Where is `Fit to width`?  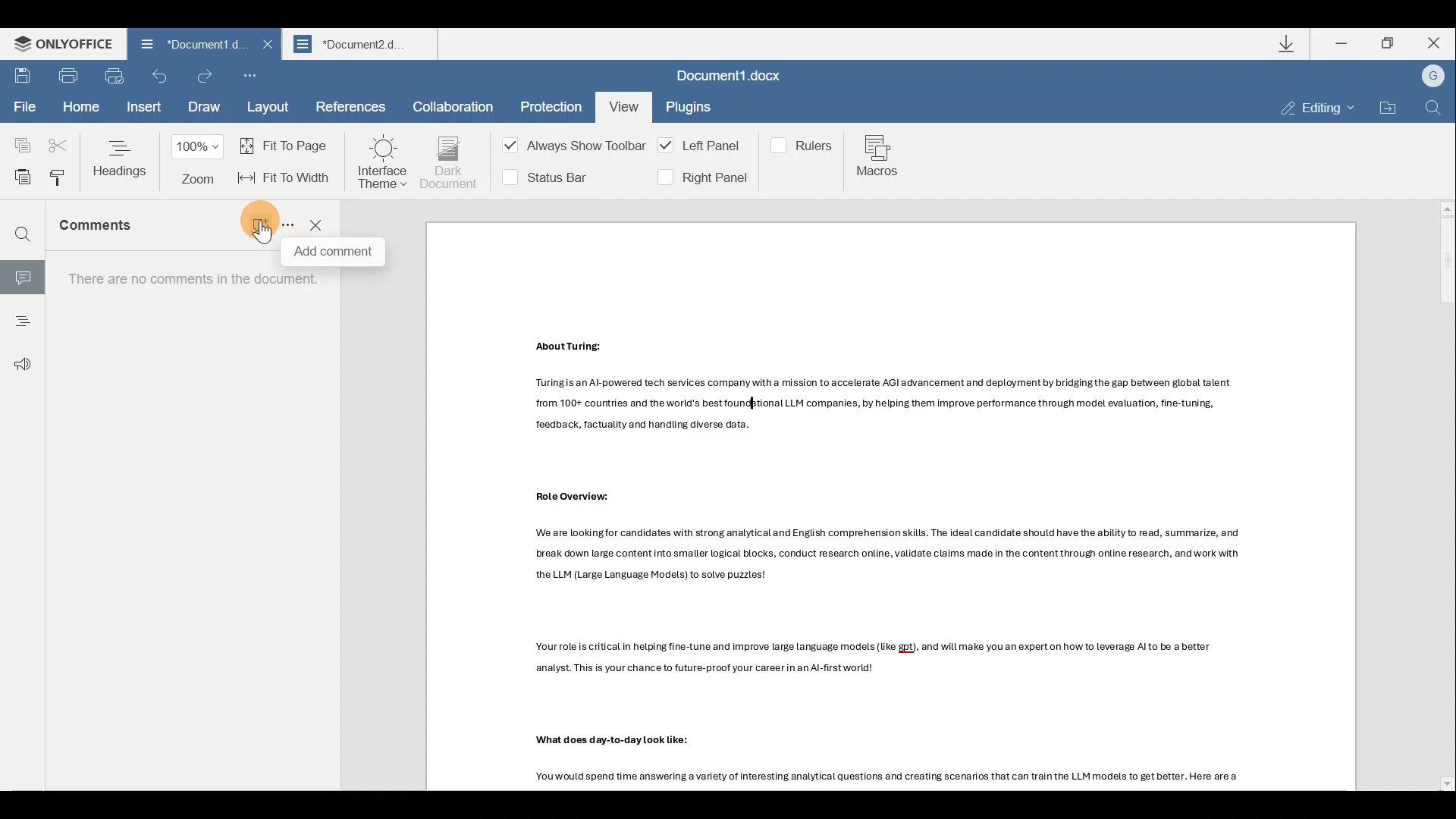 Fit to width is located at coordinates (286, 177).